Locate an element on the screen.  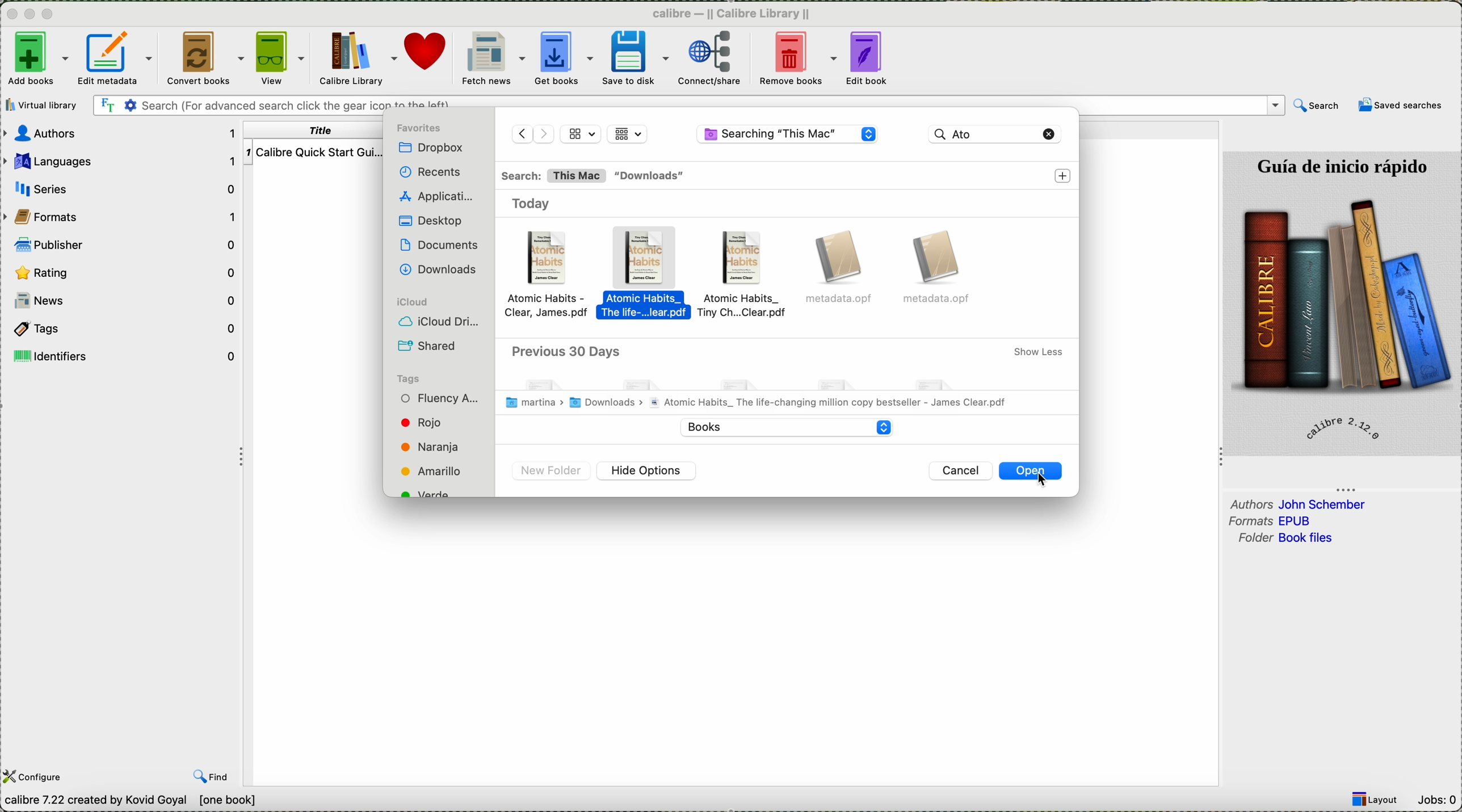
identifiers is located at coordinates (123, 356).